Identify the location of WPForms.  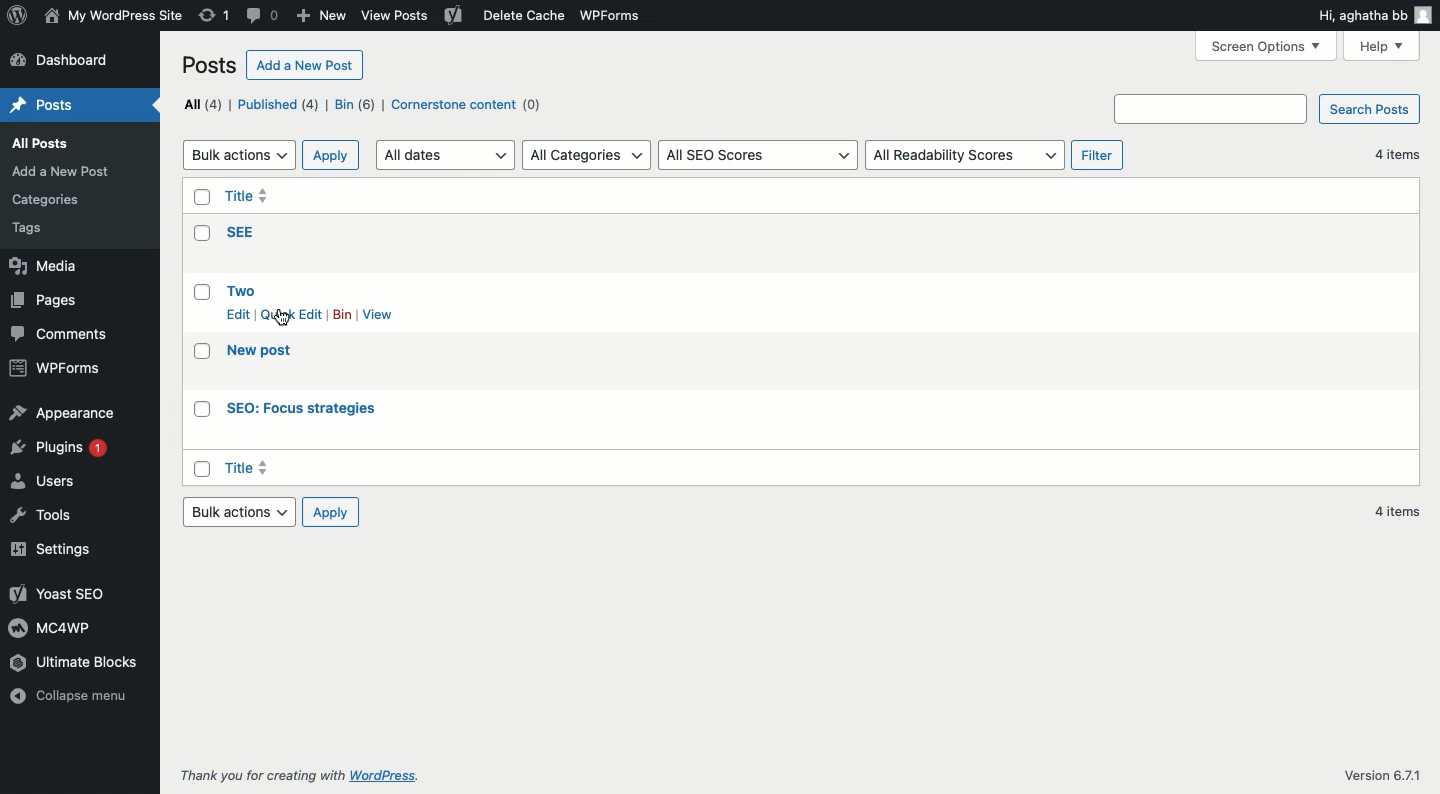
(56, 367).